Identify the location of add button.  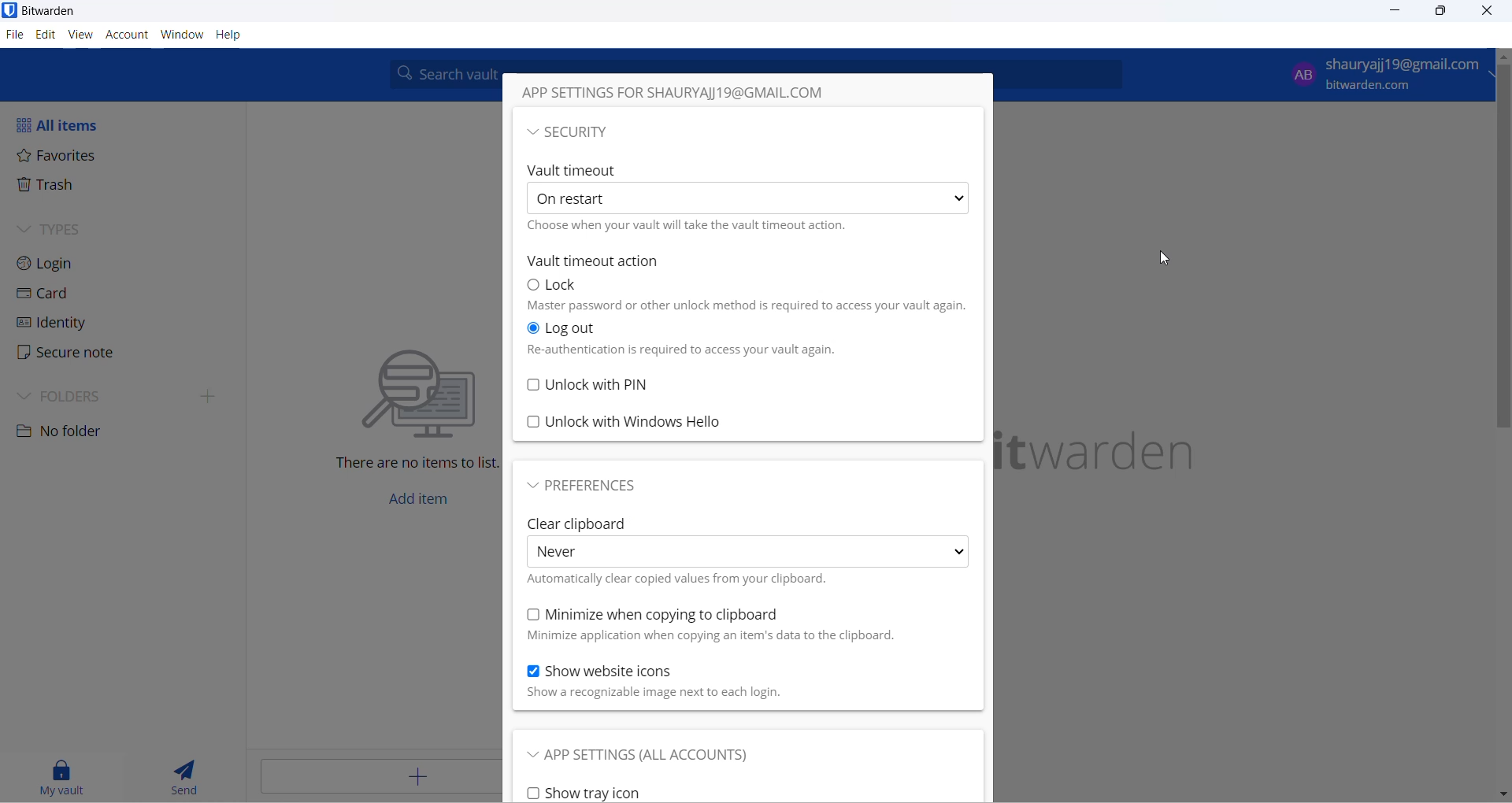
(374, 778).